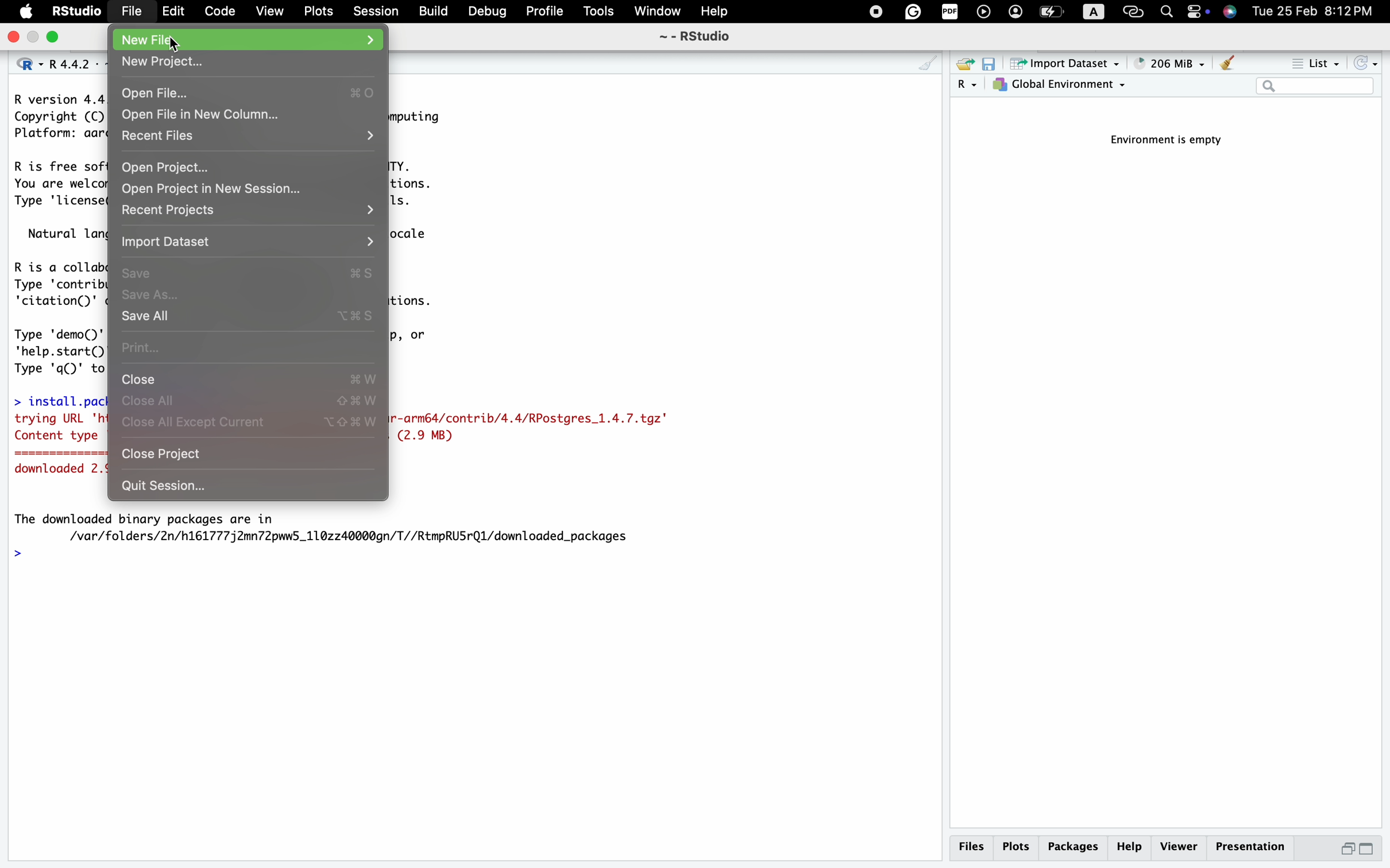  Describe the element at coordinates (1072, 849) in the screenshot. I see `packages` at that location.